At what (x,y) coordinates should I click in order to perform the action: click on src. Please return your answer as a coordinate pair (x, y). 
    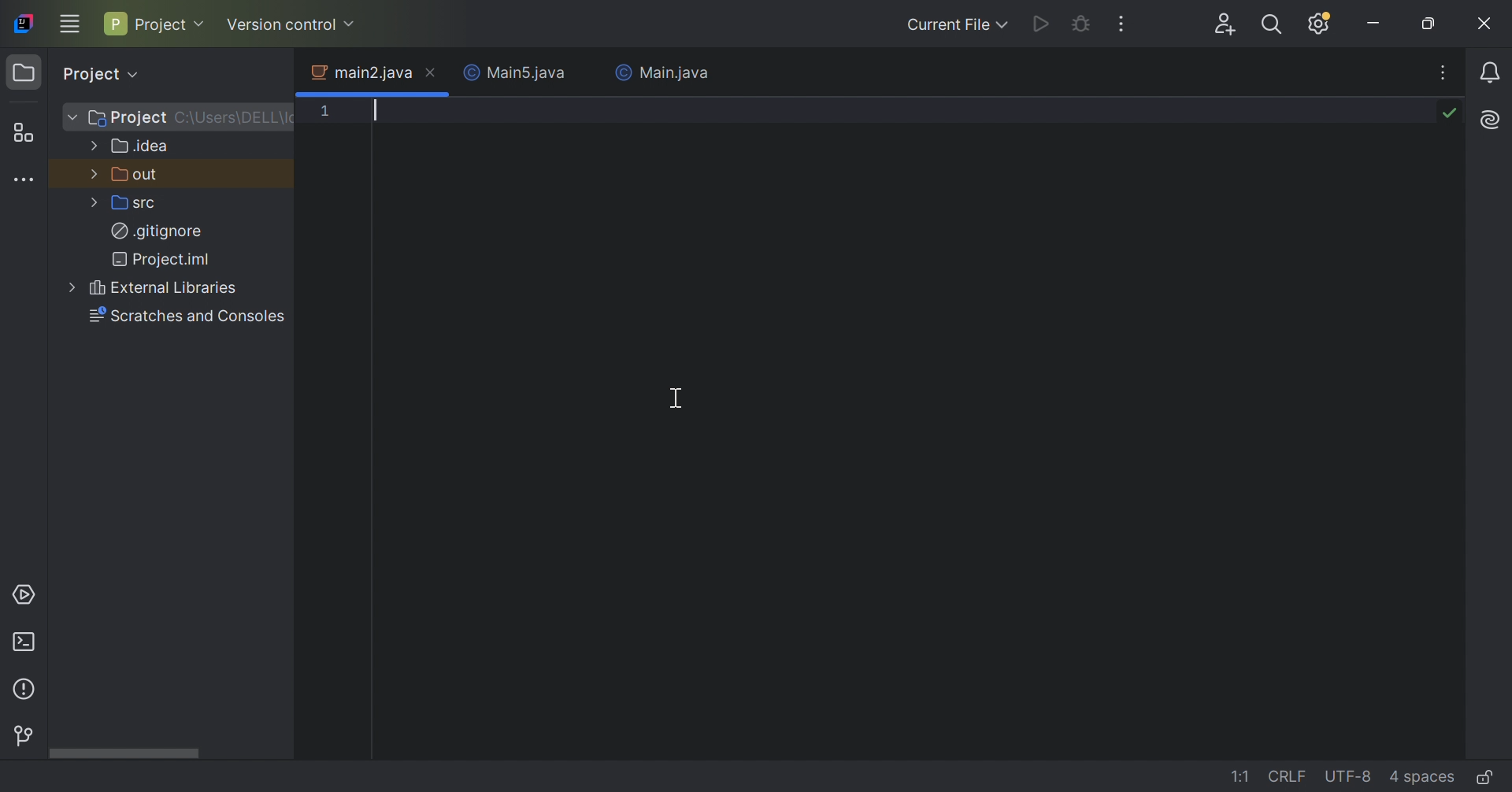
    Looking at the image, I should click on (136, 202).